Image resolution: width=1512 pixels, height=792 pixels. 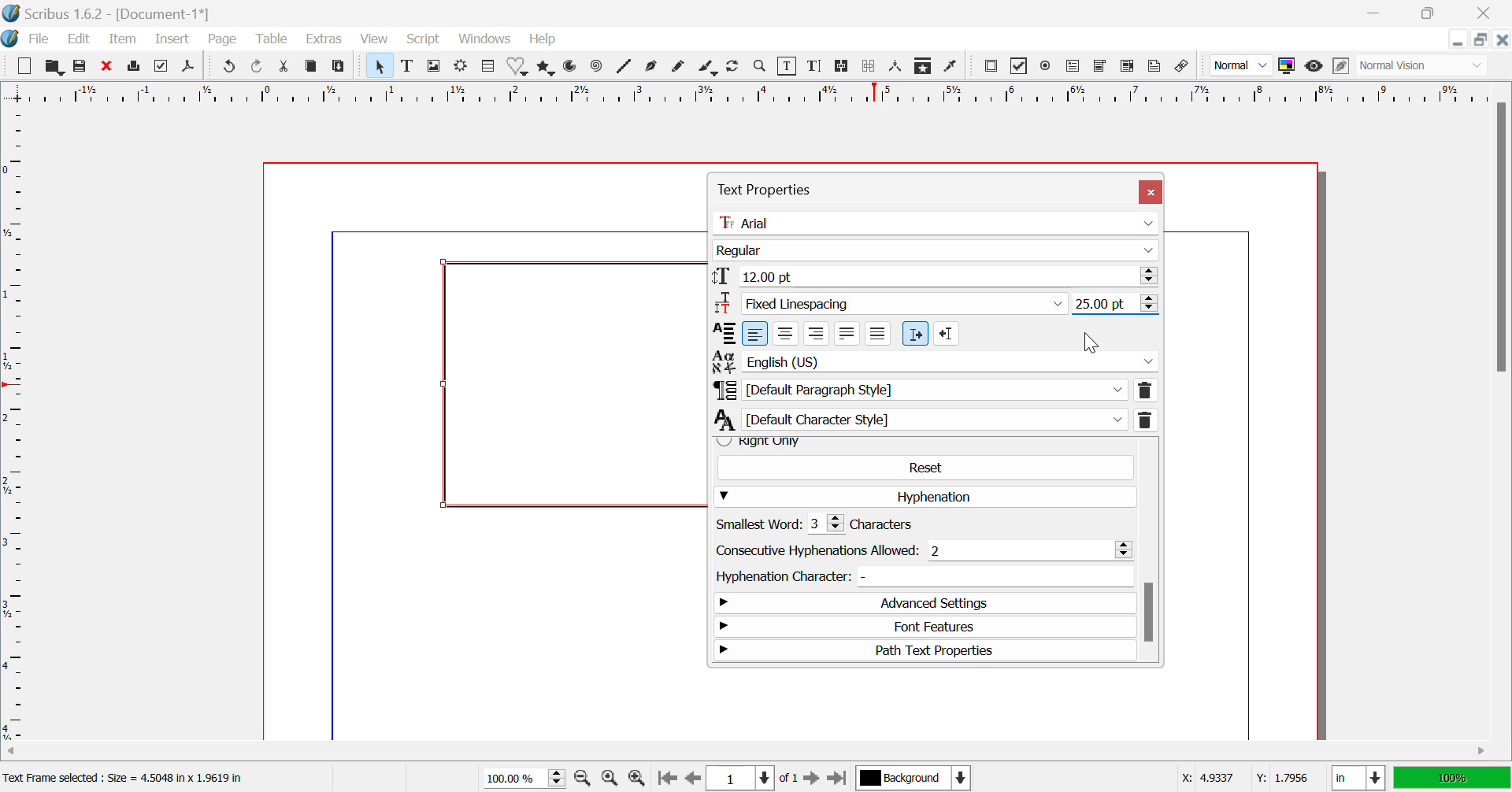 What do you see at coordinates (11, 39) in the screenshot?
I see `Scribus Logo` at bounding box center [11, 39].